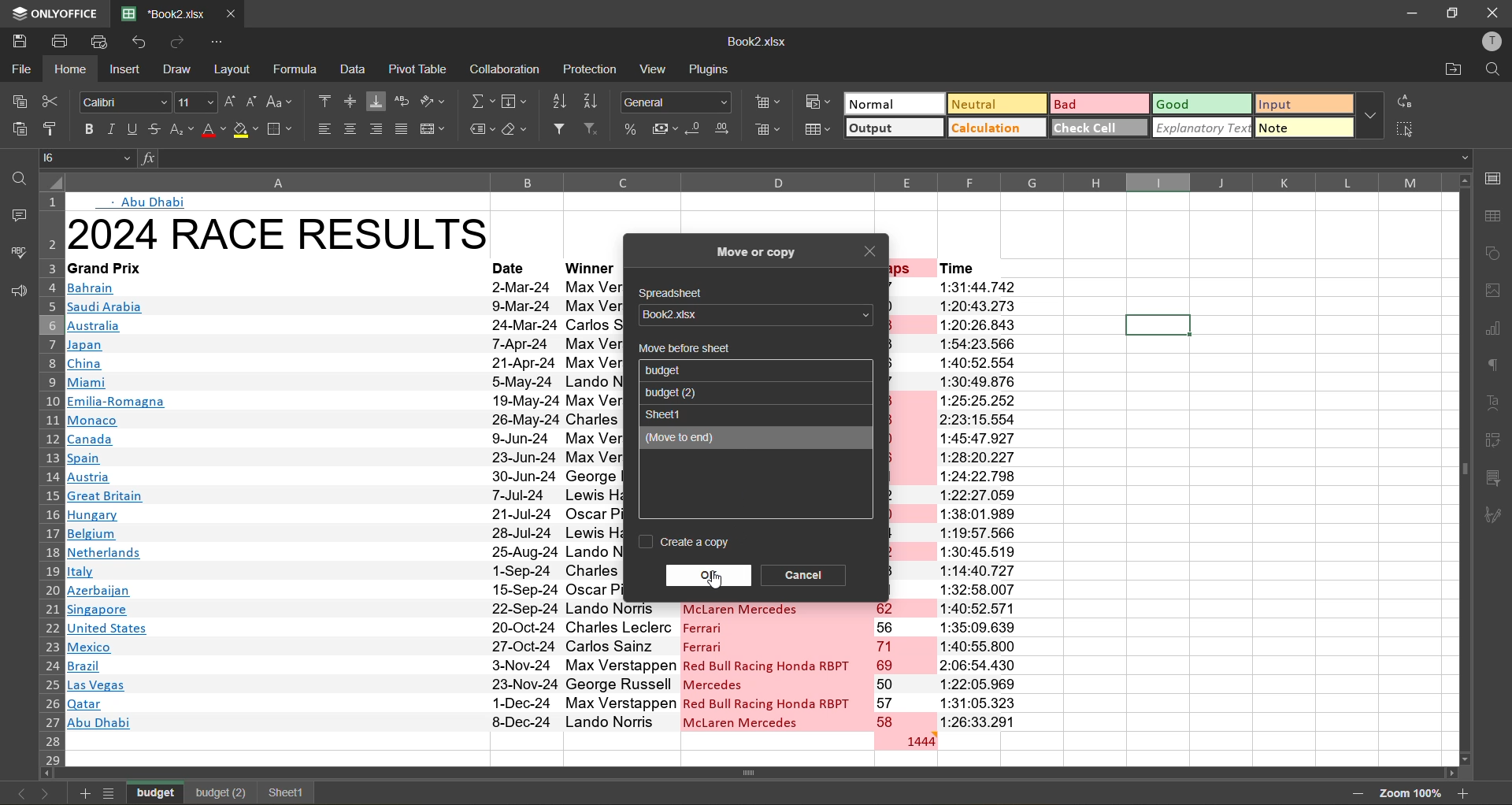 The height and width of the screenshot is (805, 1512). What do you see at coordinates (17, 129) in the screenshot?
I see `paste` at bounding box center [17, 129].